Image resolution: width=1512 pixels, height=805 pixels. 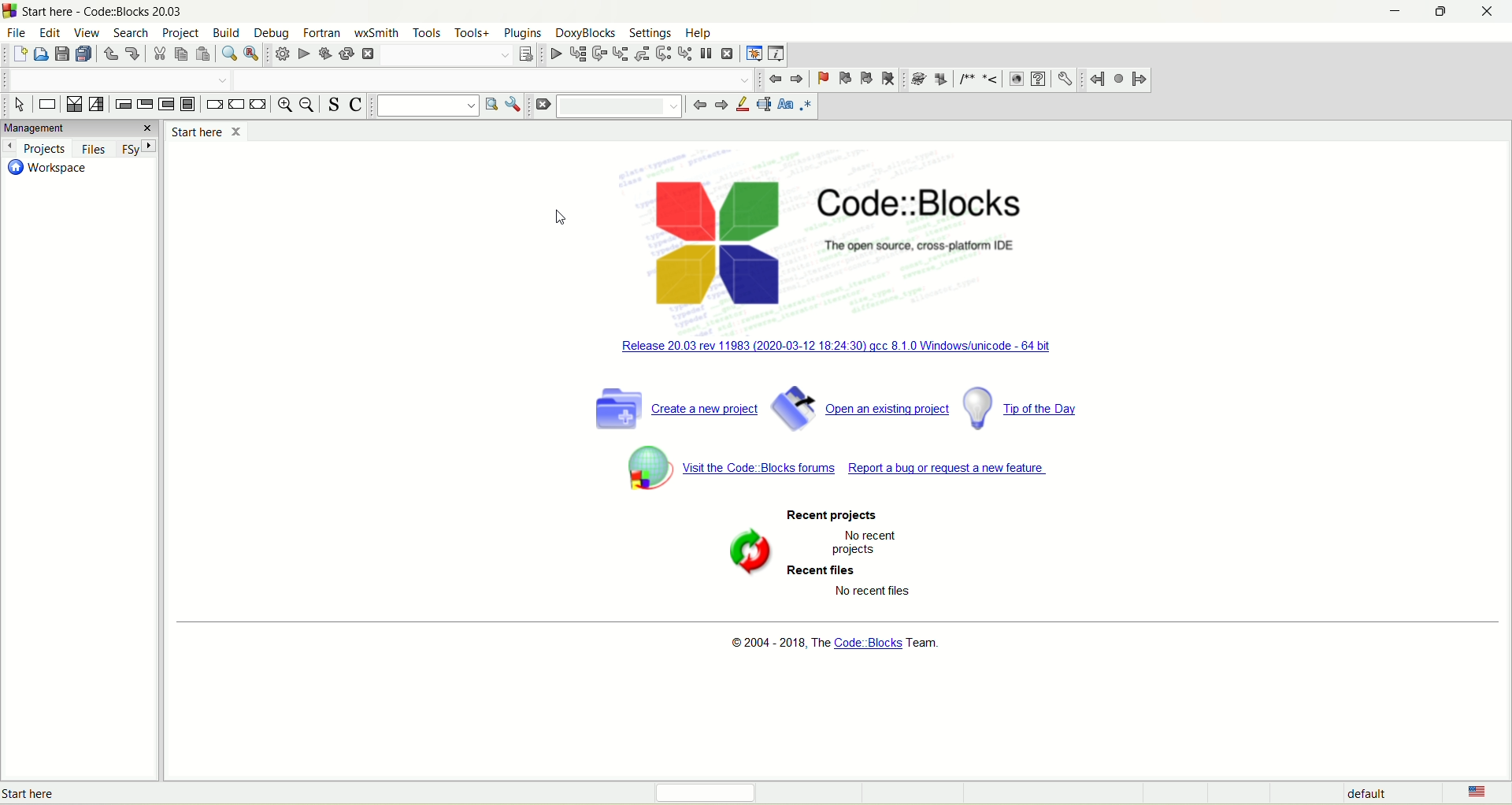 I want to click on block instruction, so click(x=187, y=102).